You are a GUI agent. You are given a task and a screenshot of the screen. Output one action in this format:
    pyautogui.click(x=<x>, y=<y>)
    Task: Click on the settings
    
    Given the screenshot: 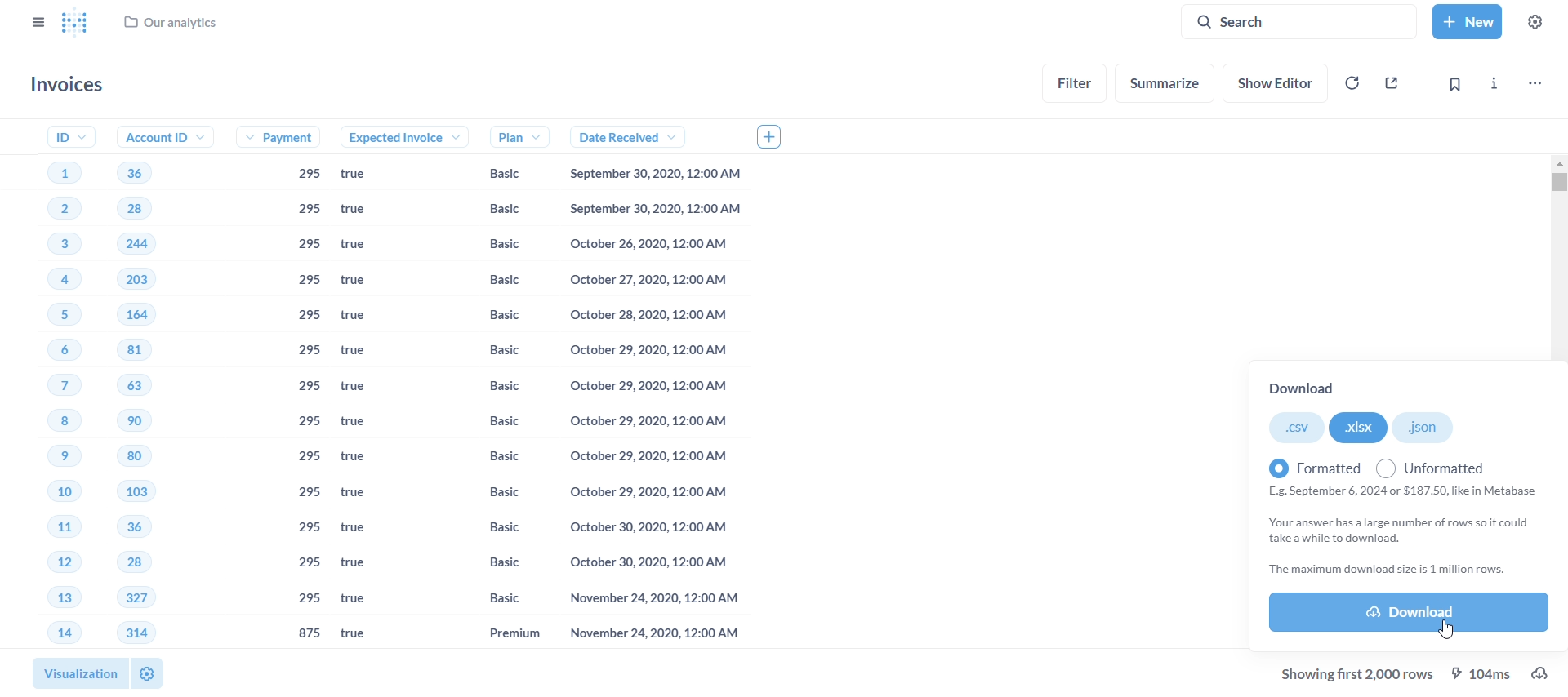 What is the action you would take?
    pyautogui.click(x=1540, y=20)
    